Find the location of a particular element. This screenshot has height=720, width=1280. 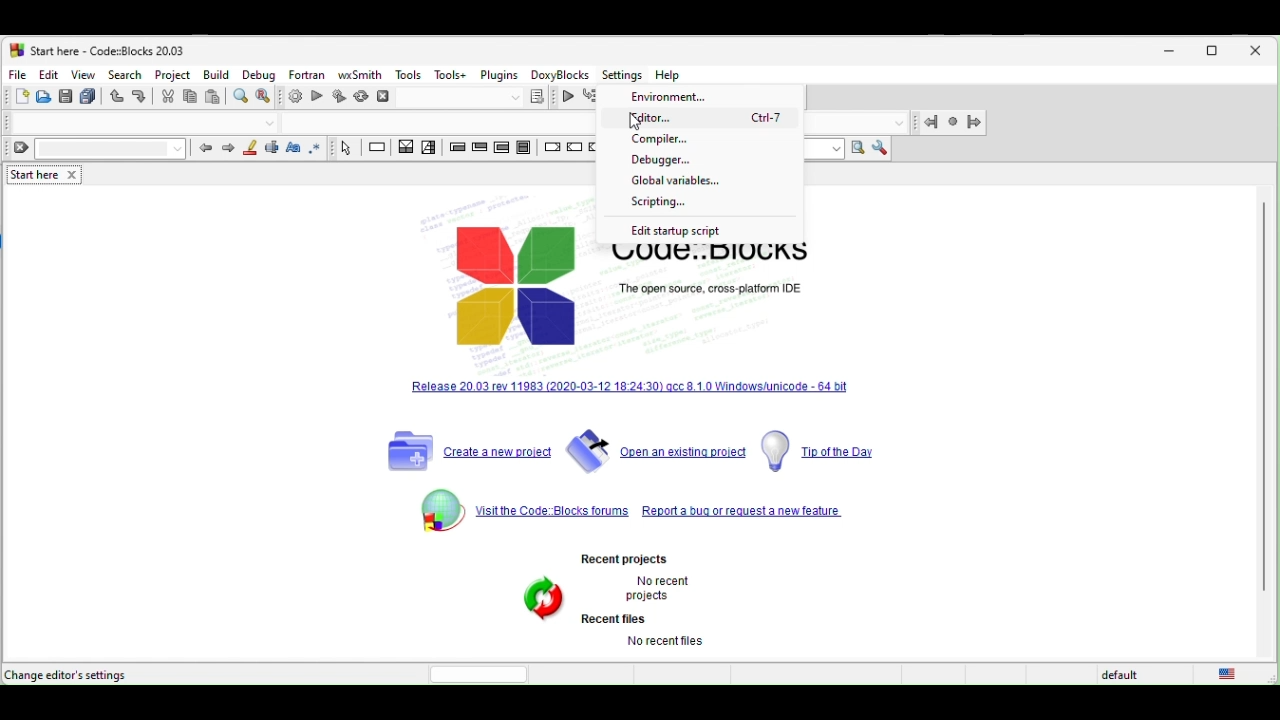

united state is located at coordinates (1232, 674).